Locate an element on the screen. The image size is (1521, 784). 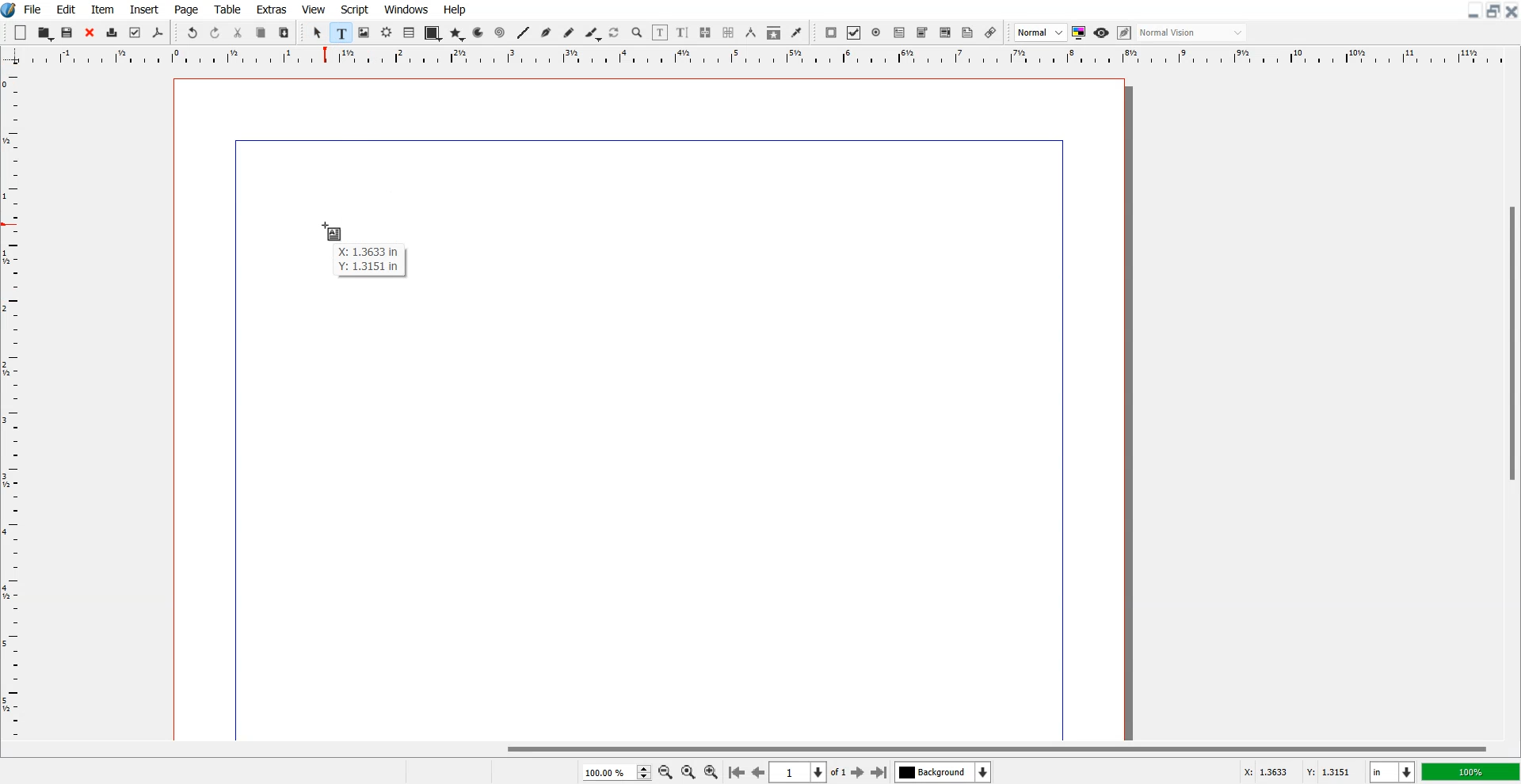
Insert image is located at coordinates (334, 231).